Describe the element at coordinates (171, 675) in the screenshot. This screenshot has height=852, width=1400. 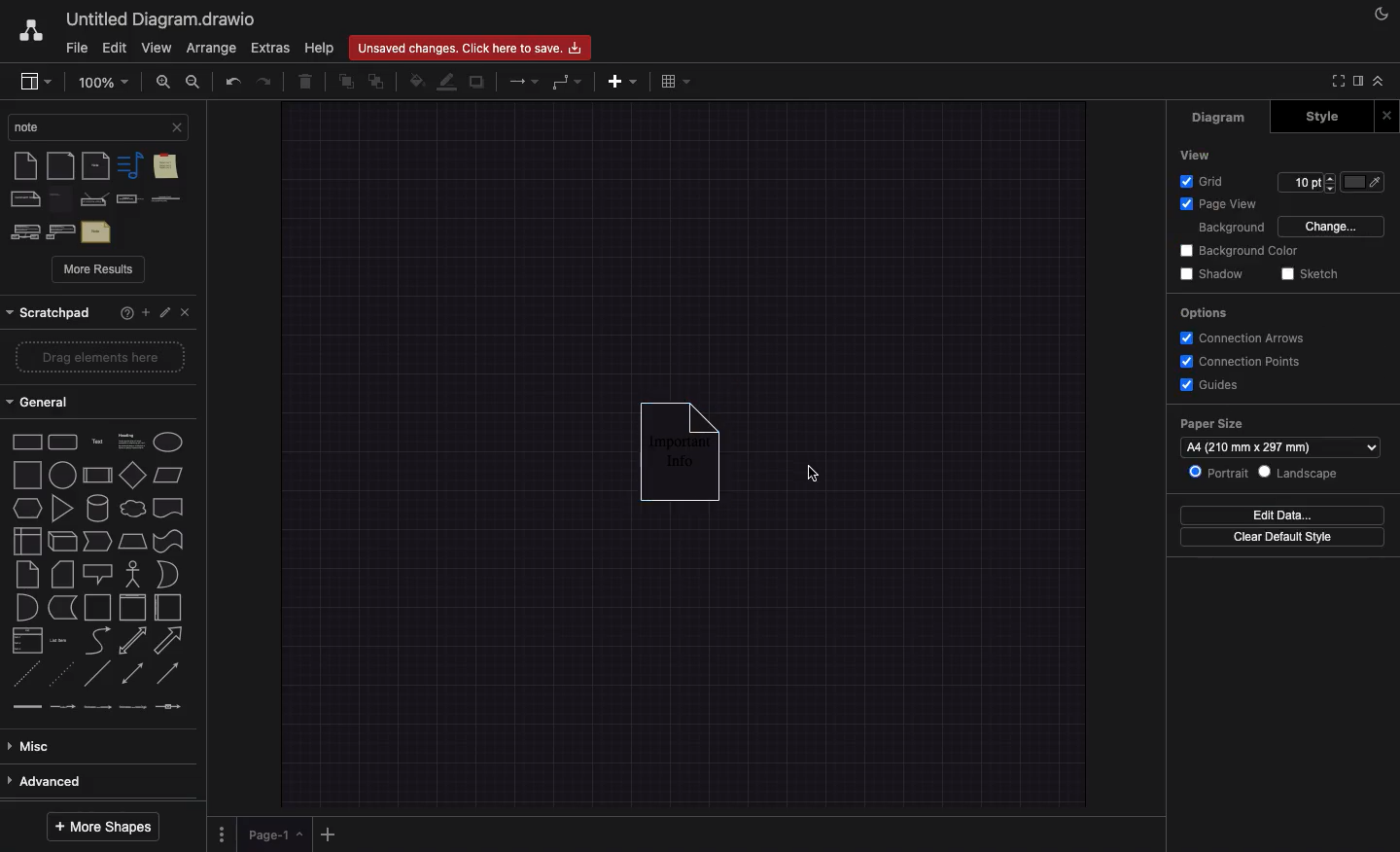
I see `directional connector` at that location.